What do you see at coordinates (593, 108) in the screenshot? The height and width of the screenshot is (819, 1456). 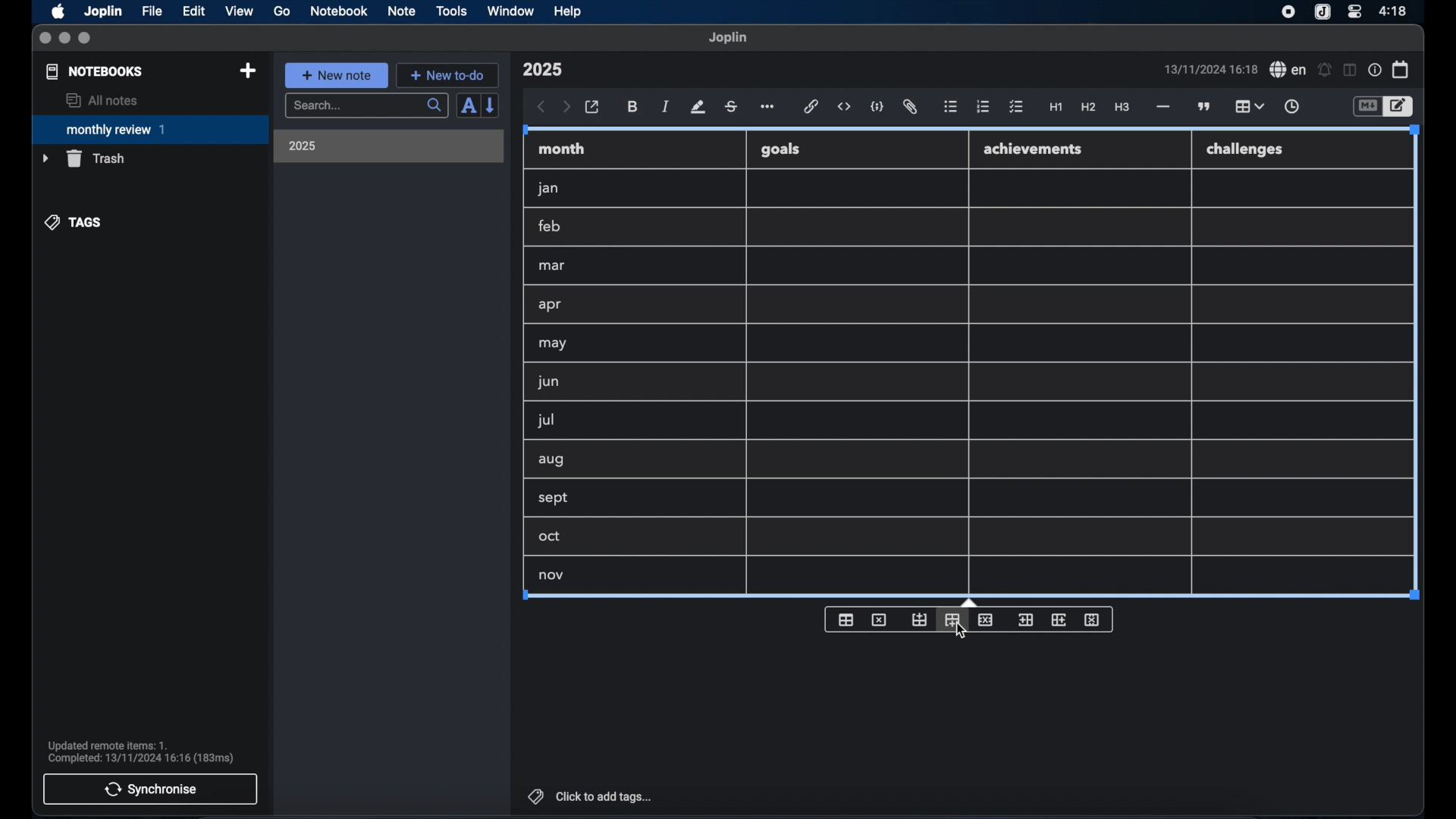 I see `open in external editor` at bounding box center [593, 108].